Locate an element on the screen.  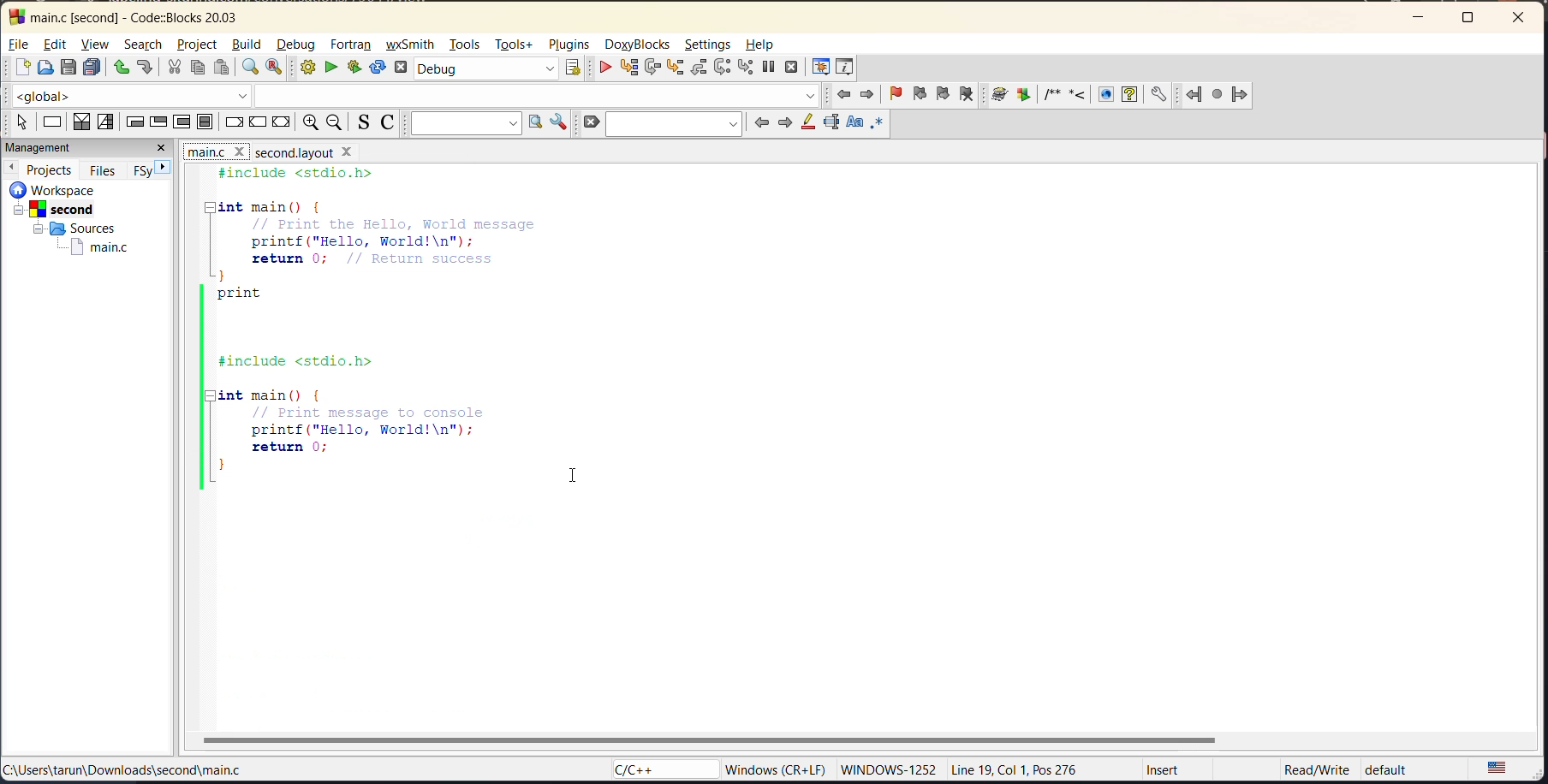
block instruction is located at coordinates (205, 122).